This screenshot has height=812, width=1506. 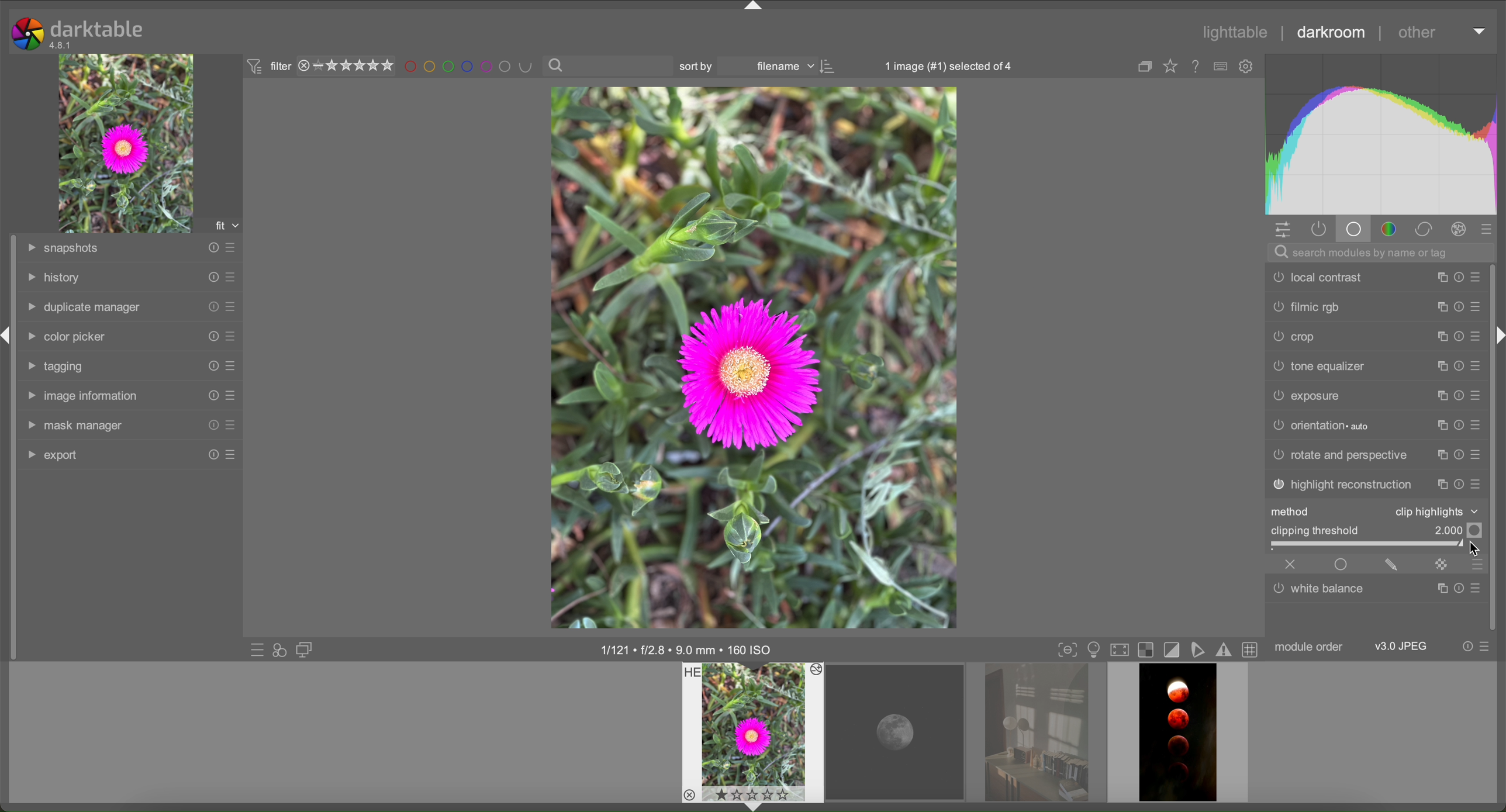 What do you see at coordinates (1284, 230) in the screenshot?
I see `settings` at bounding box center [1284, 230].